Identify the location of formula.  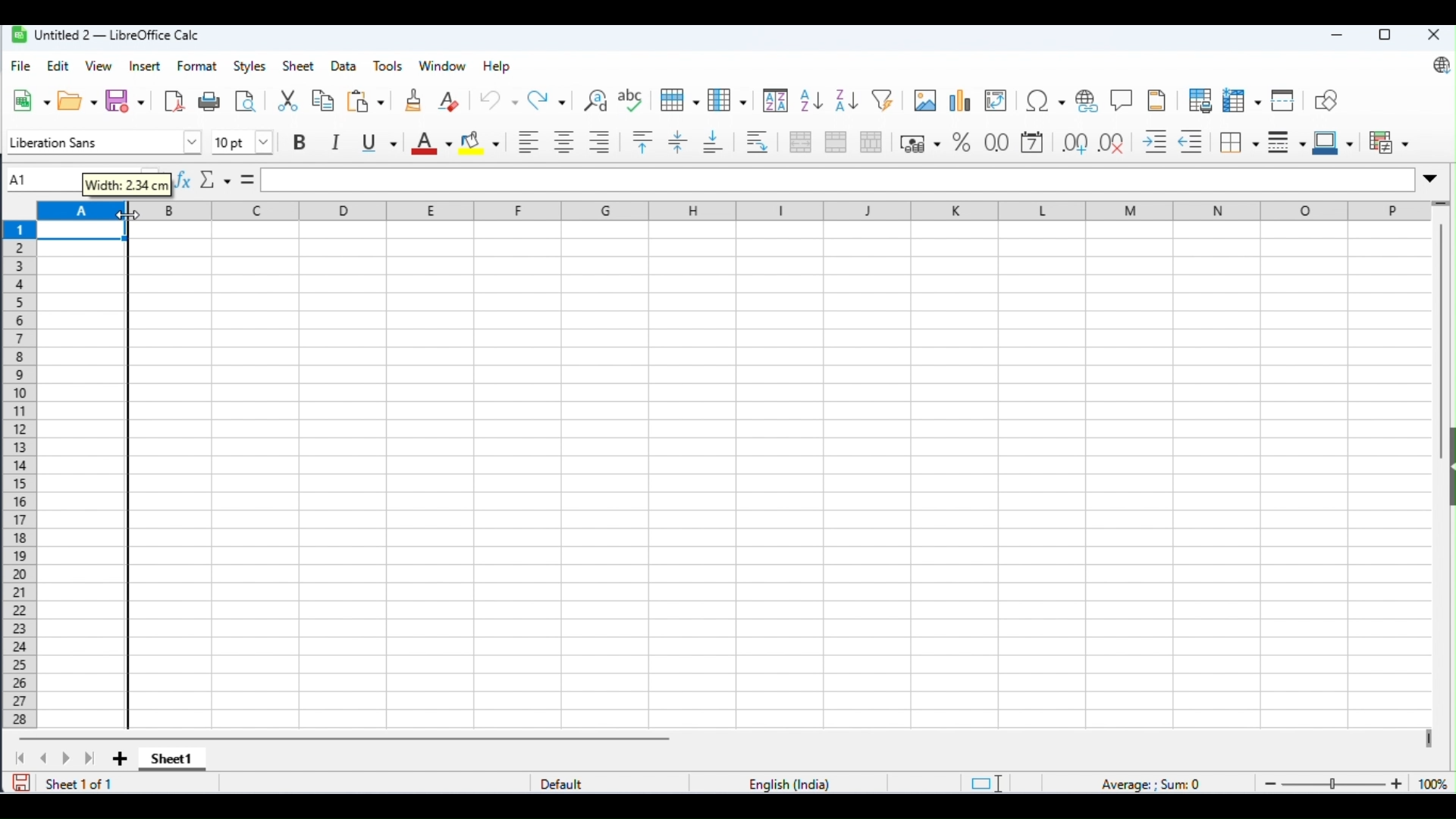
(1154, 783).